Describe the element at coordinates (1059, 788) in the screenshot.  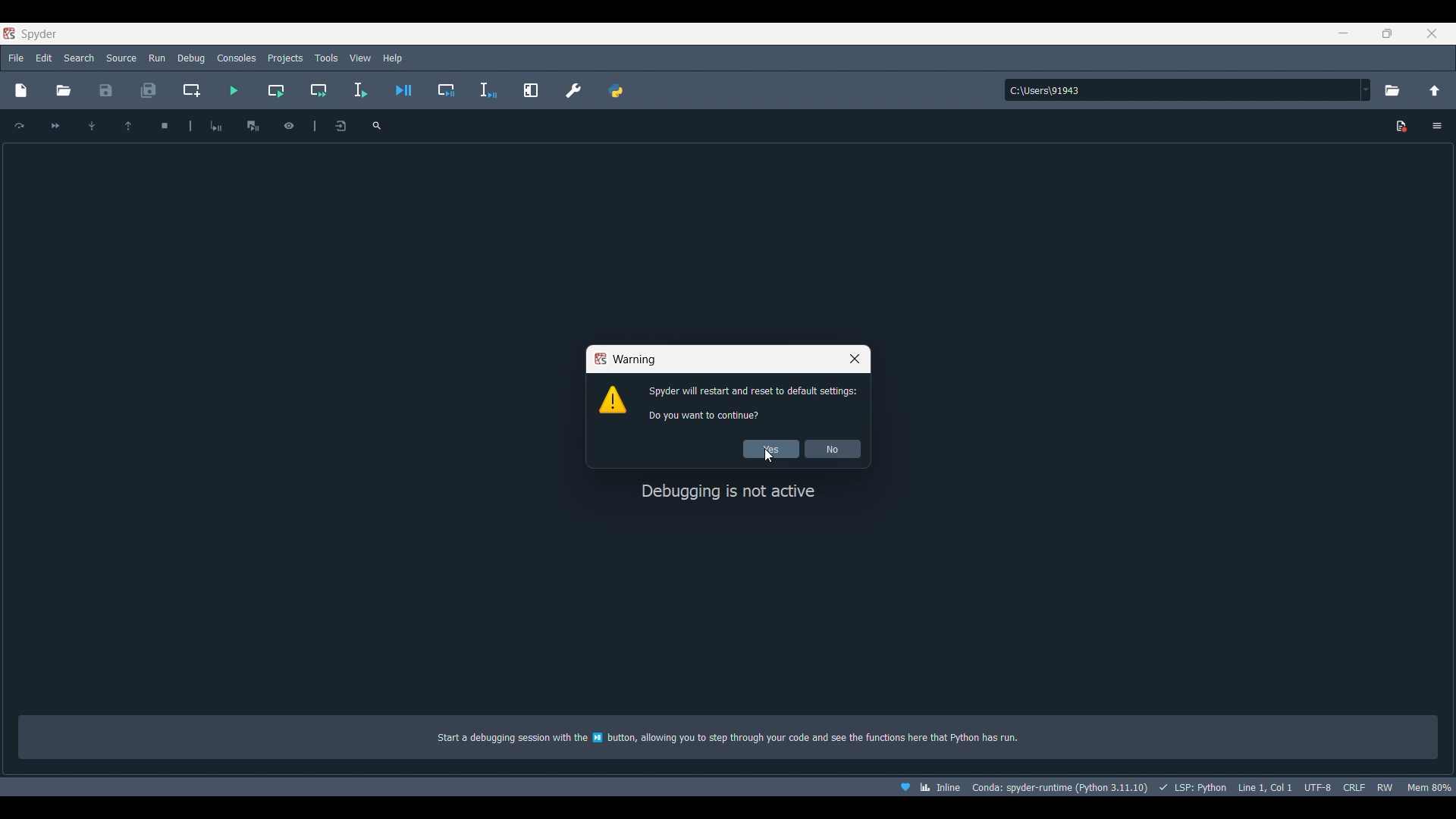
I see `Conda:spyder-runtime (Python 3.11.10)` at that location.